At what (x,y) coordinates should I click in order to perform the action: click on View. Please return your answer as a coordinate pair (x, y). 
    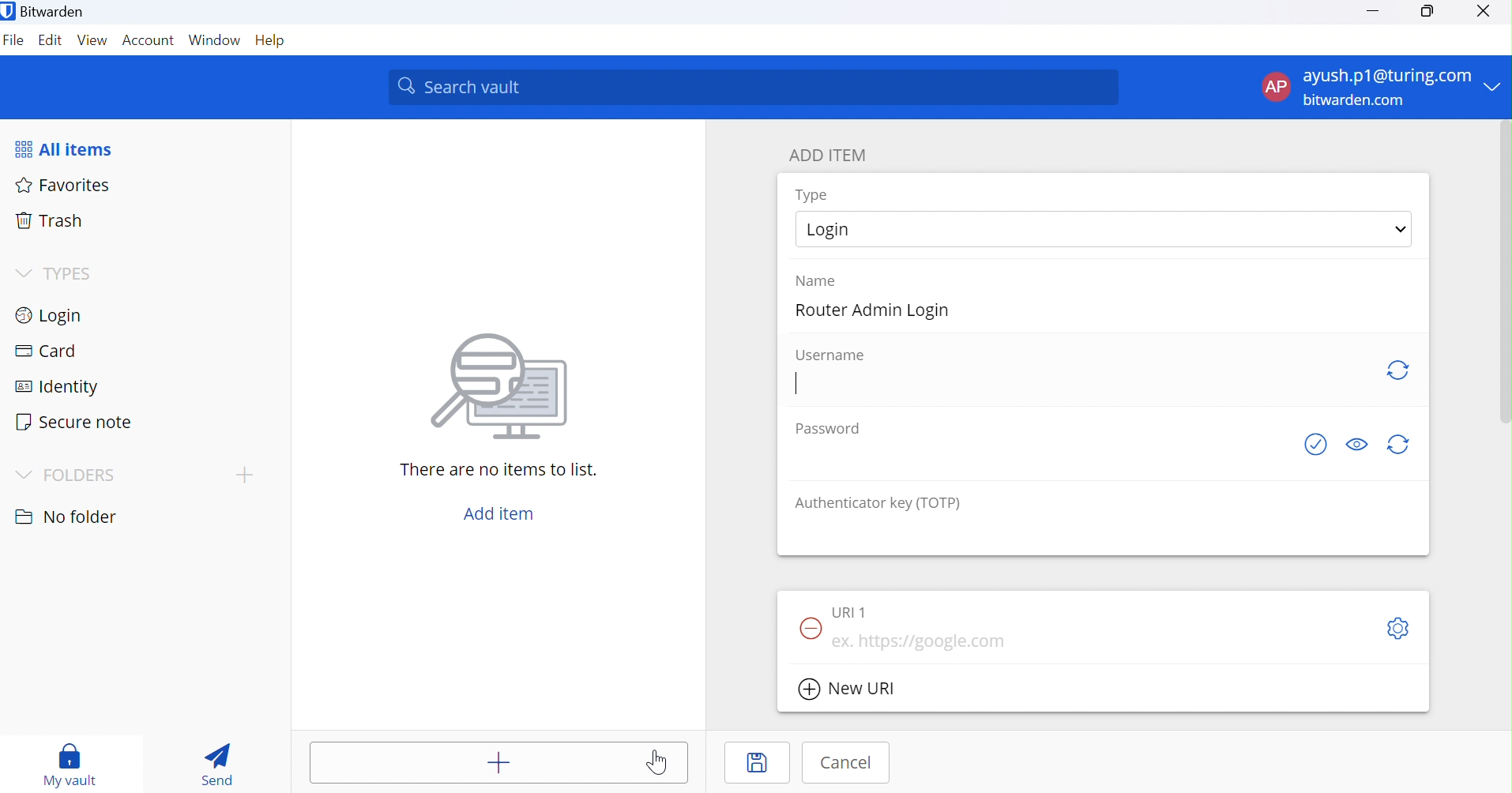
    Looking at the image, I should click on (92, 43).